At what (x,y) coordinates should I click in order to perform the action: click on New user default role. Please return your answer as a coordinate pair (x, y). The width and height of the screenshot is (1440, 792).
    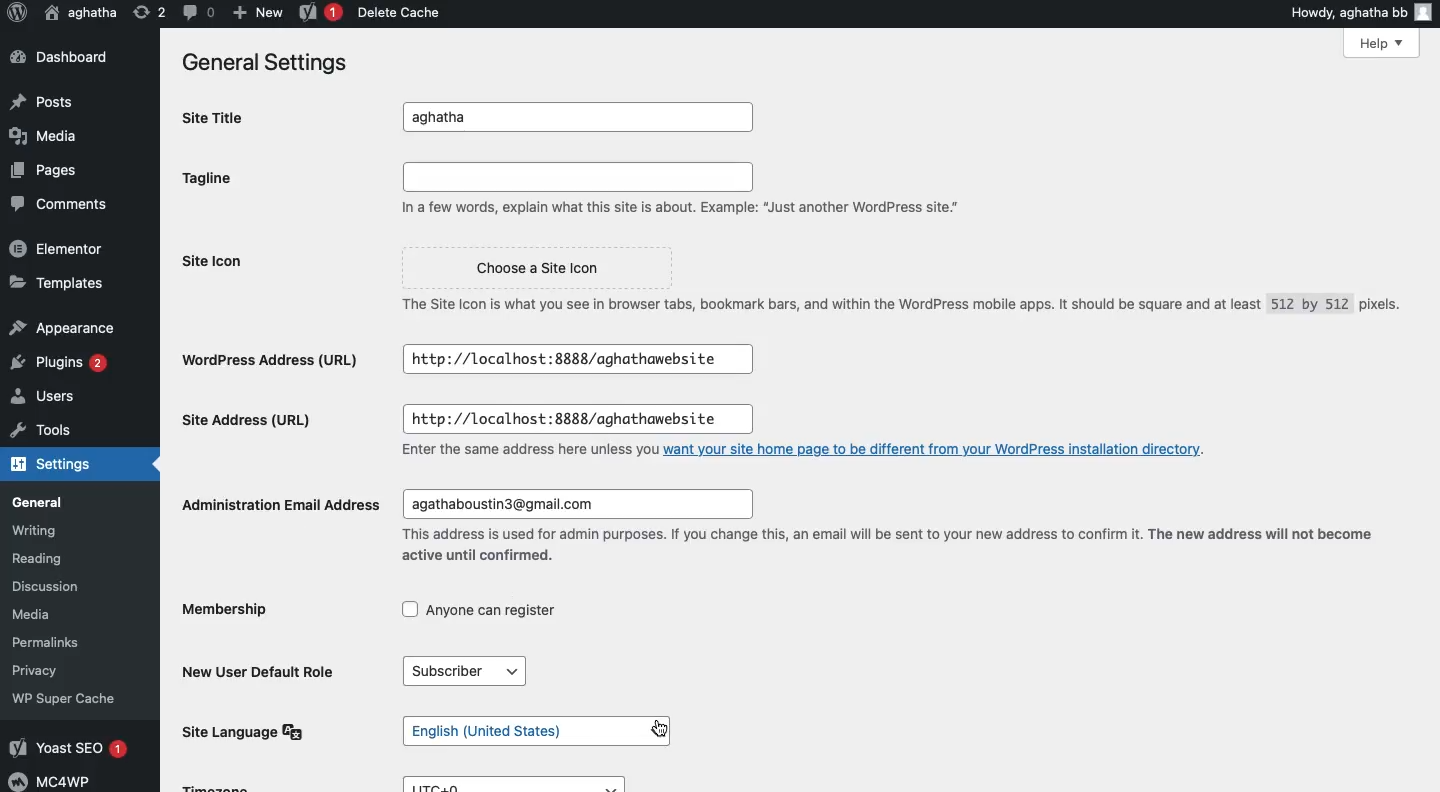
    Looking at the image, I should click on (264, 670).